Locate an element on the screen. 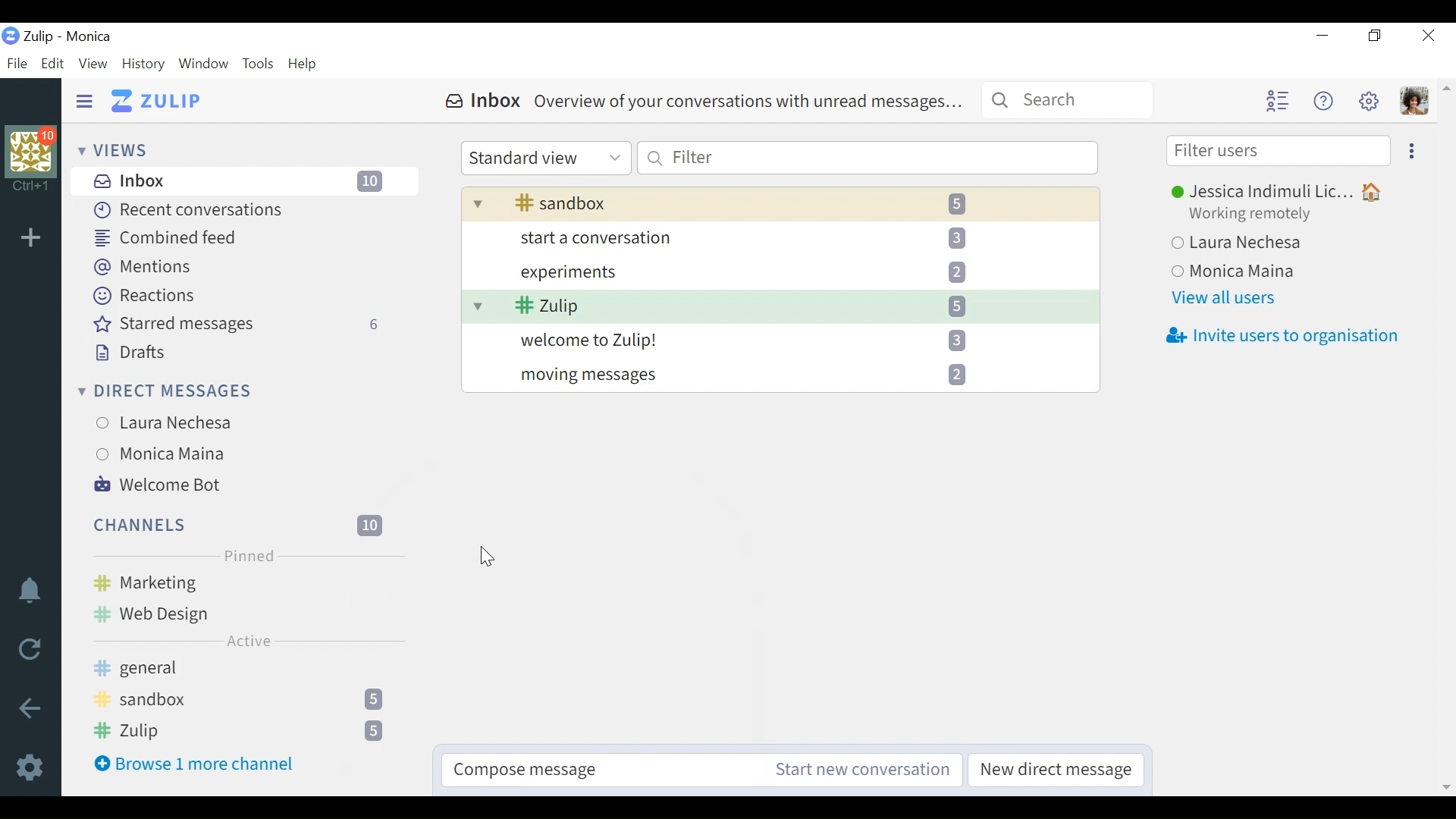  Sandbox 5 is located at coordinates (242, 701).